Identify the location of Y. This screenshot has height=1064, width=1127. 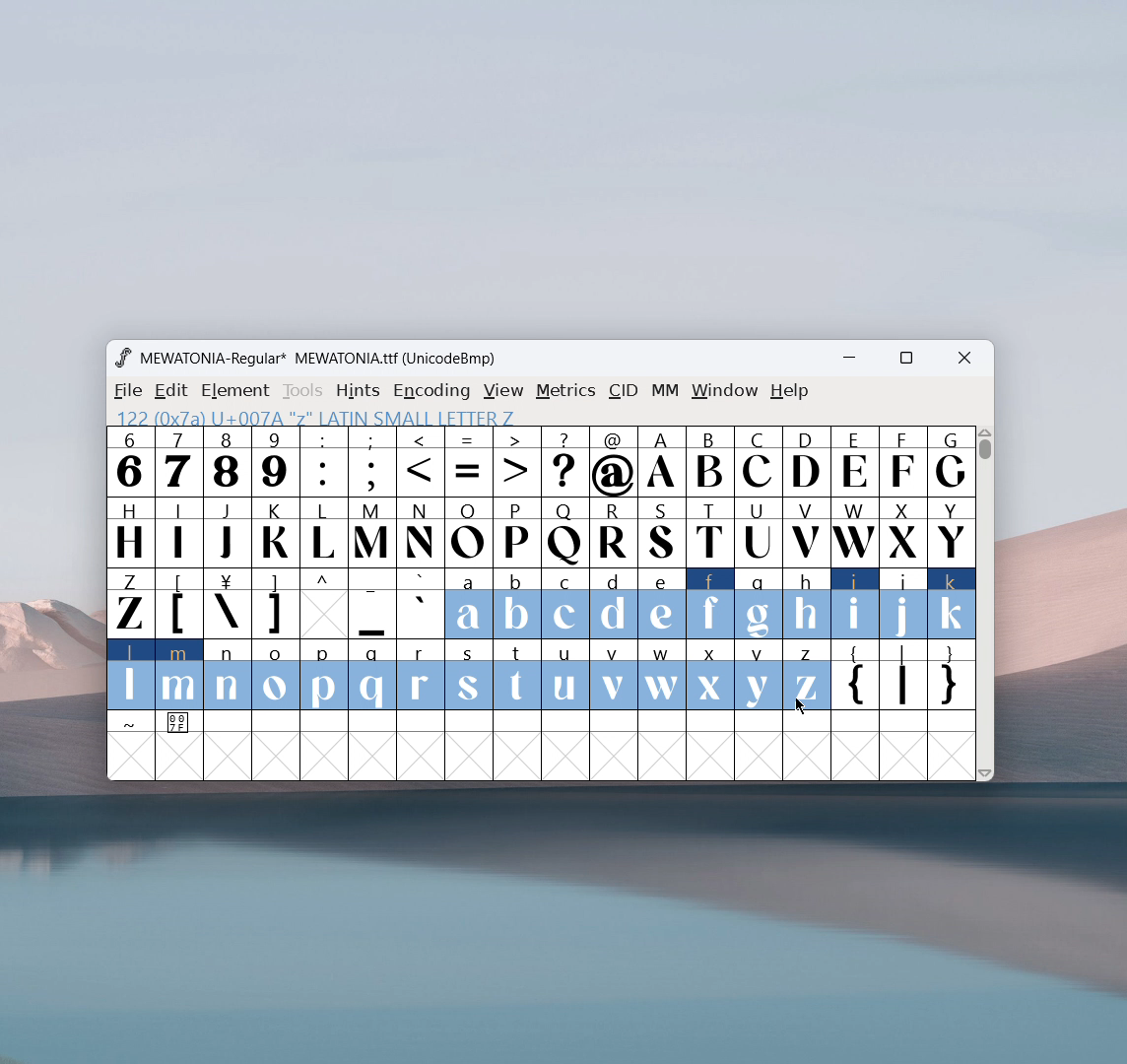
(952, 531).